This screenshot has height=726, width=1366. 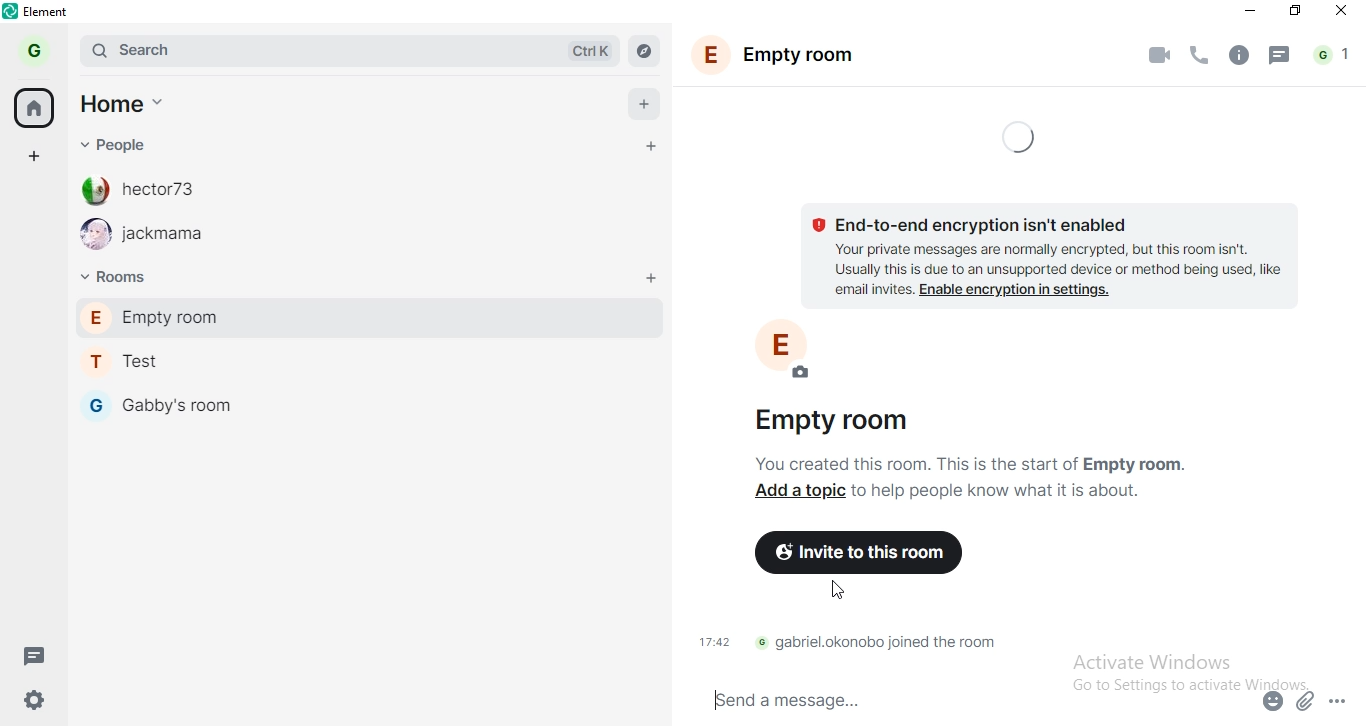 I want to click on Gabby's room, so click(x=203, y=404).